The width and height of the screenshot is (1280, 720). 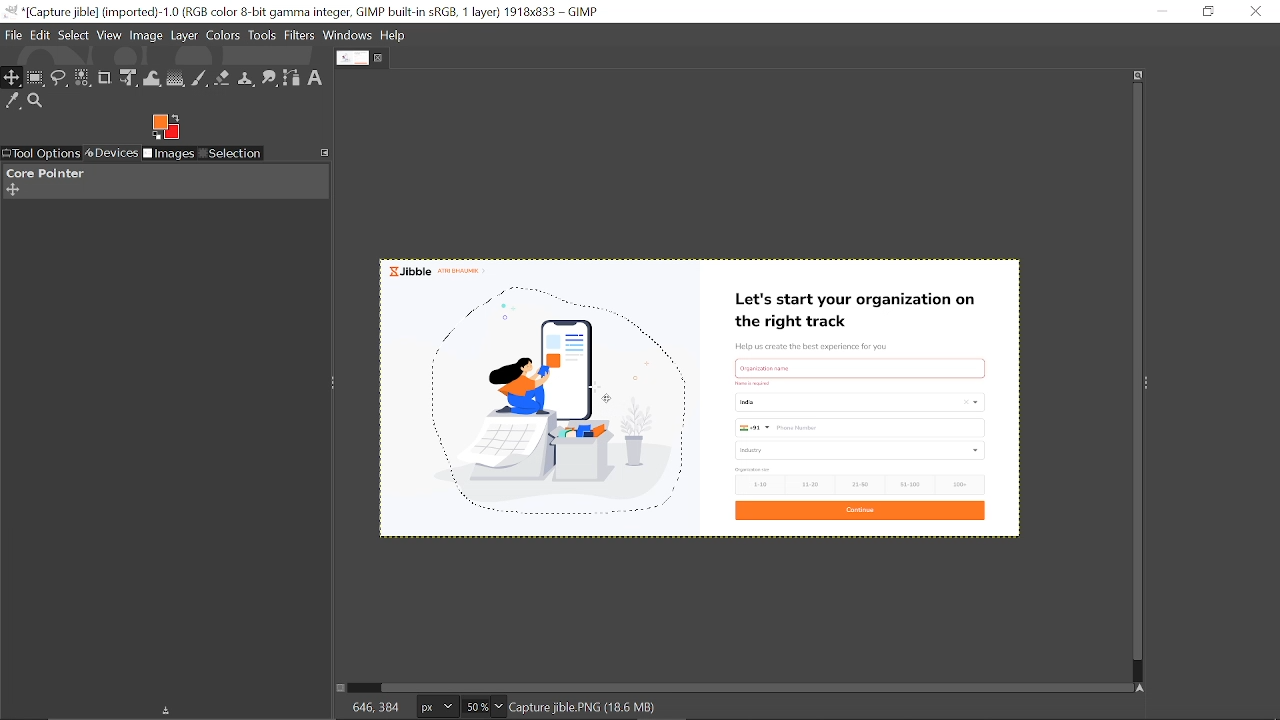 I want to click on Current tab, so click(x=353, y=57).